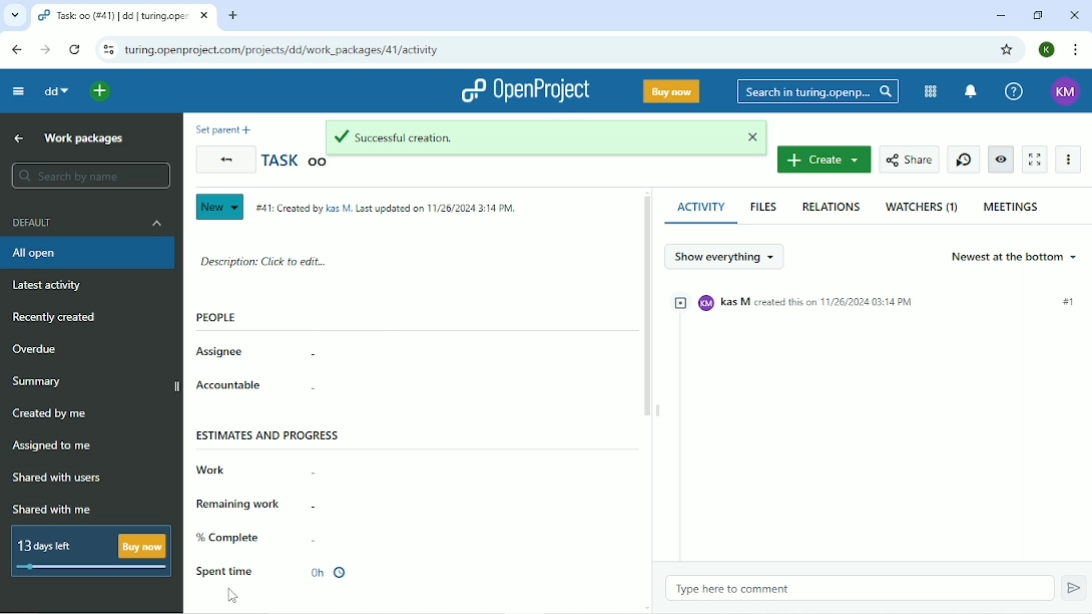 This screenshot has width=1092, height=614. What do you see at coordinates (671, 92) in the screenshot?
I see `Buy now` at bounding box center [671, 92].